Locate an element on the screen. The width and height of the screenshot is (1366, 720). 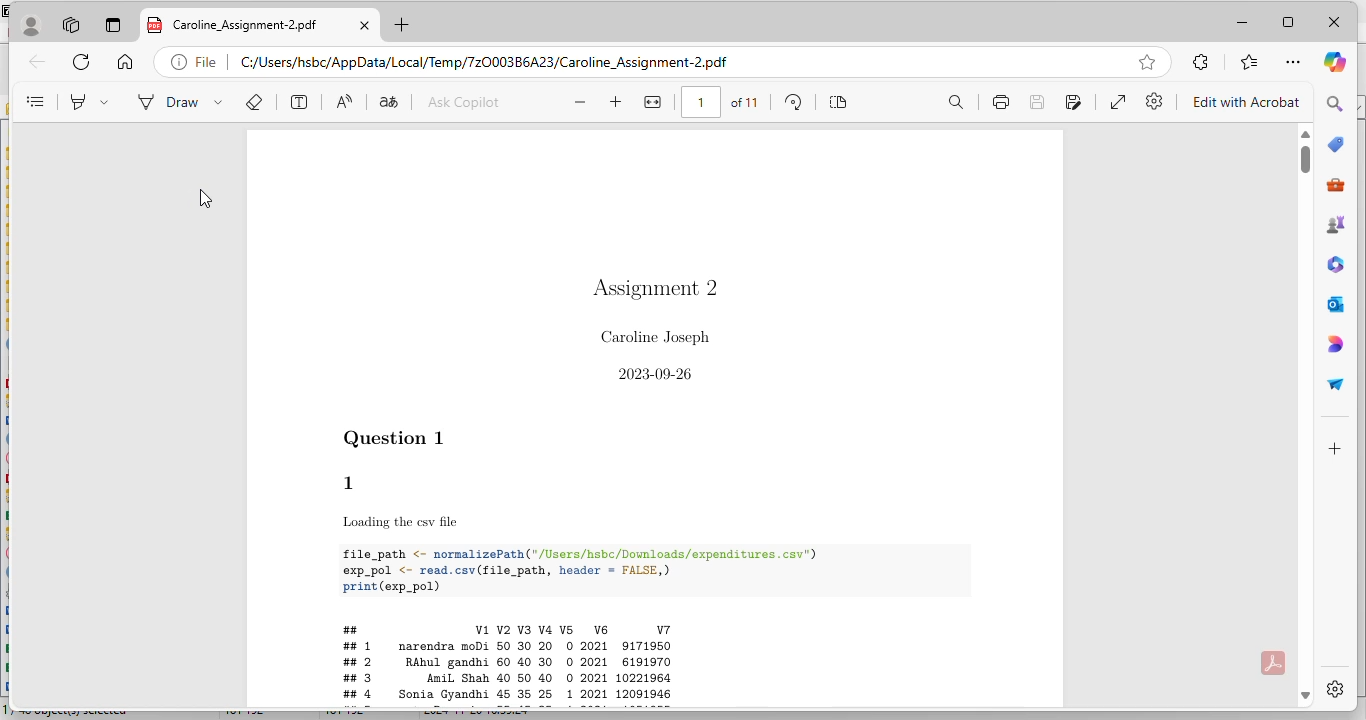
search is located at coordinates (955, 102).